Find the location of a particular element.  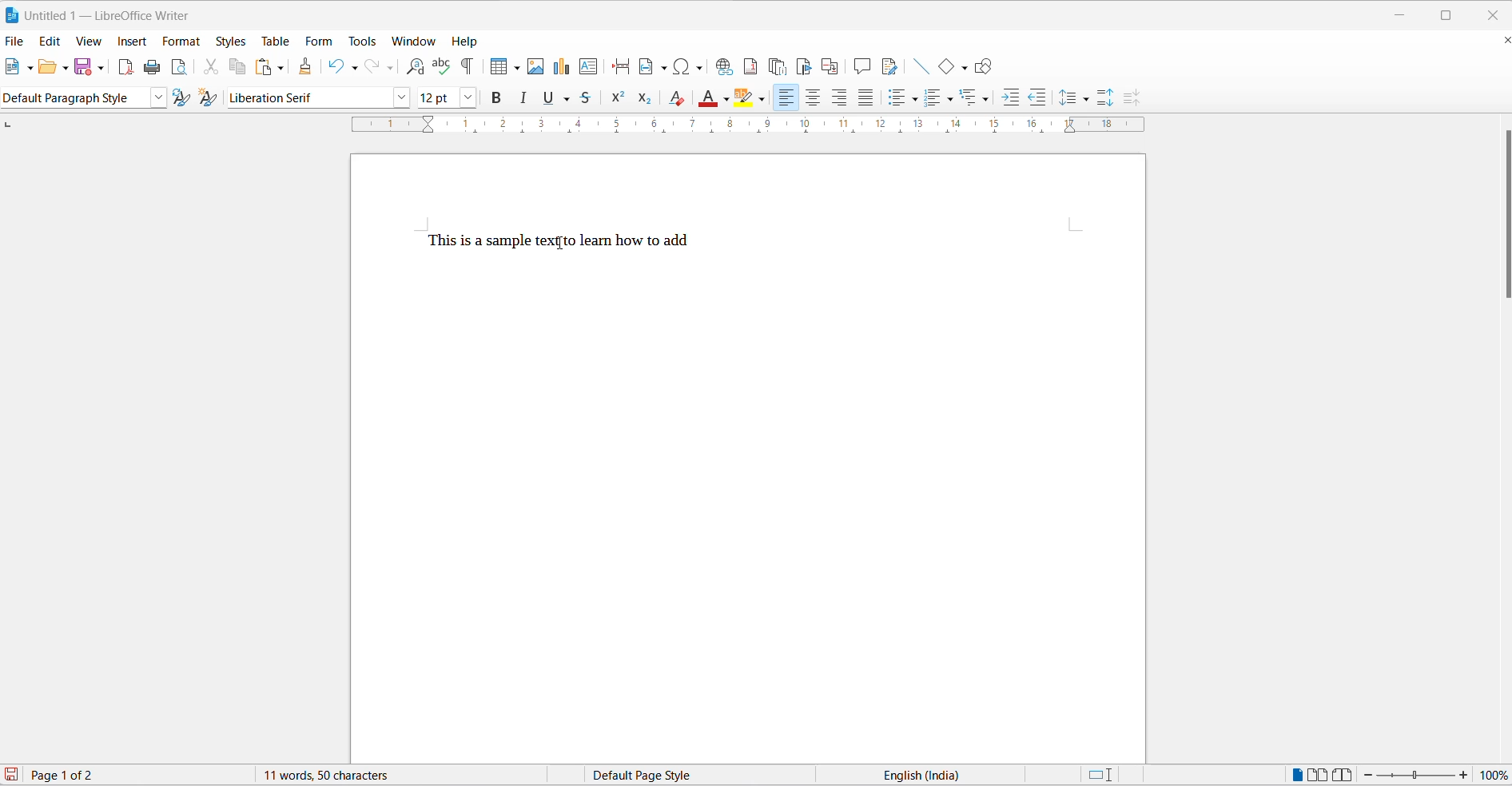

insert field is located at coordinates (654, 65).